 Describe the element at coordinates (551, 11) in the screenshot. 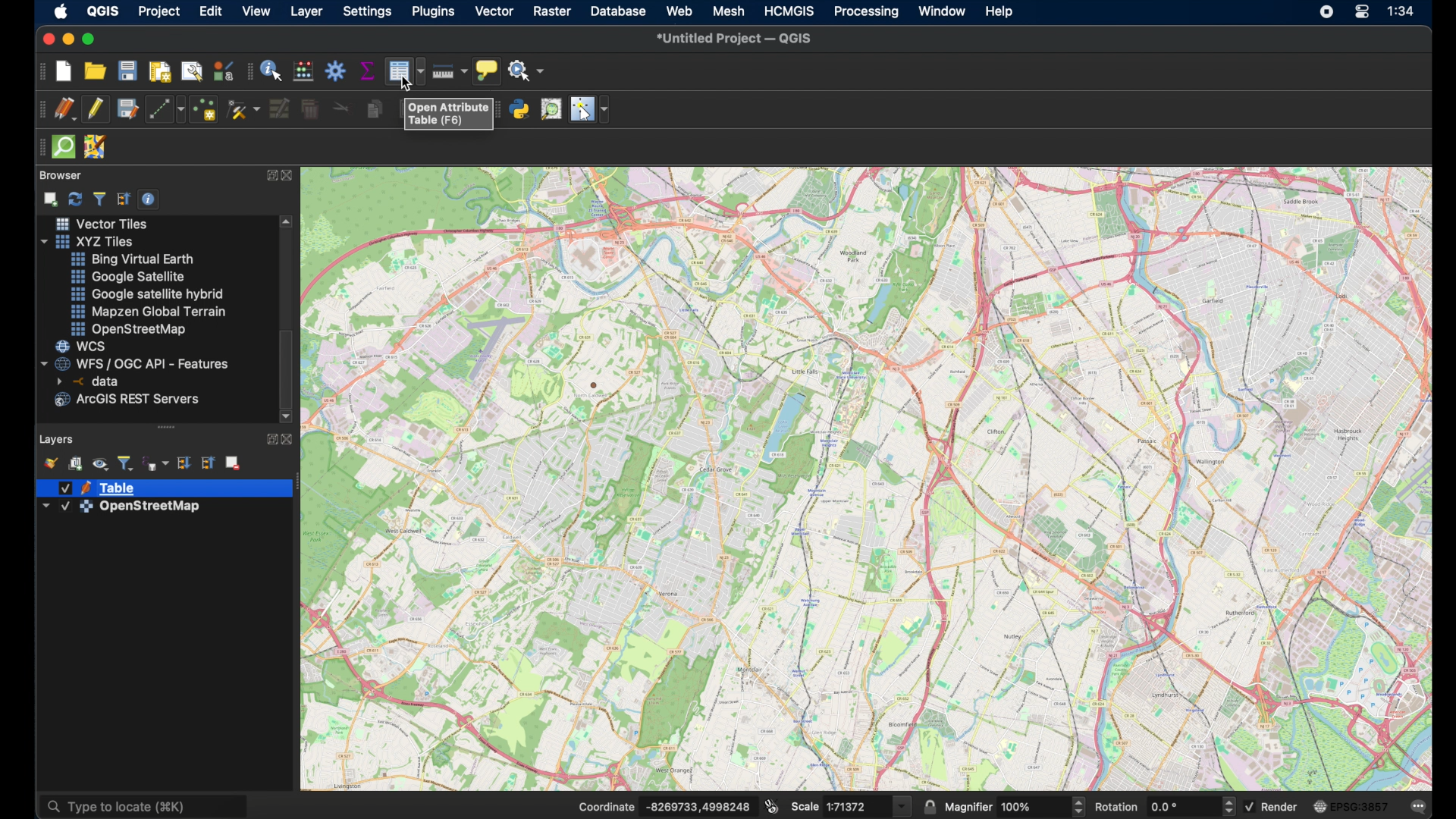

I see `raster` at that location.